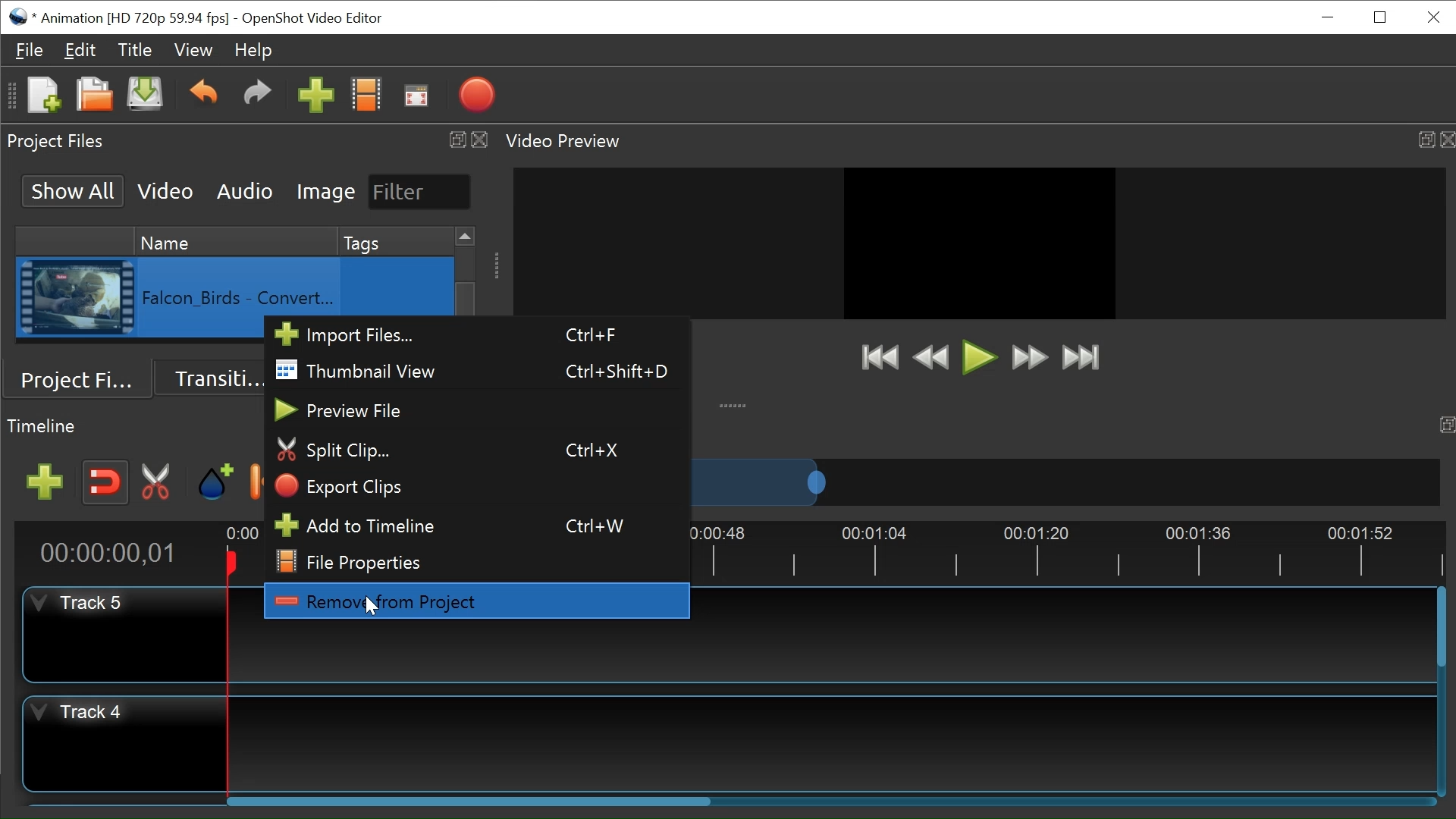 The width and height of the screenshot is (1456, 819). I want to click on Video, so click(166, 190).